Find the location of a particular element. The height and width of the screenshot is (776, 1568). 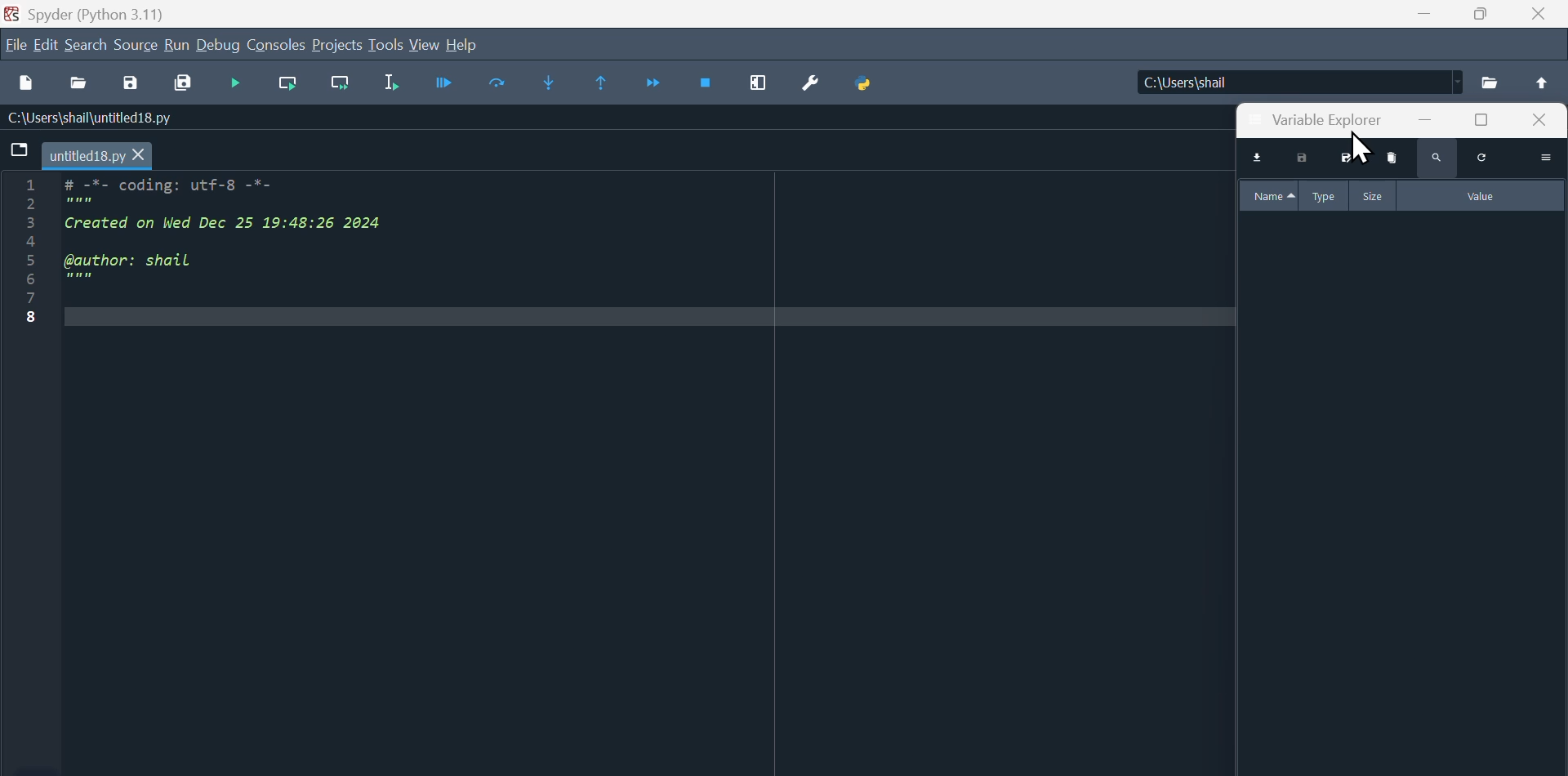

Build is located at coordinates (175, 46).